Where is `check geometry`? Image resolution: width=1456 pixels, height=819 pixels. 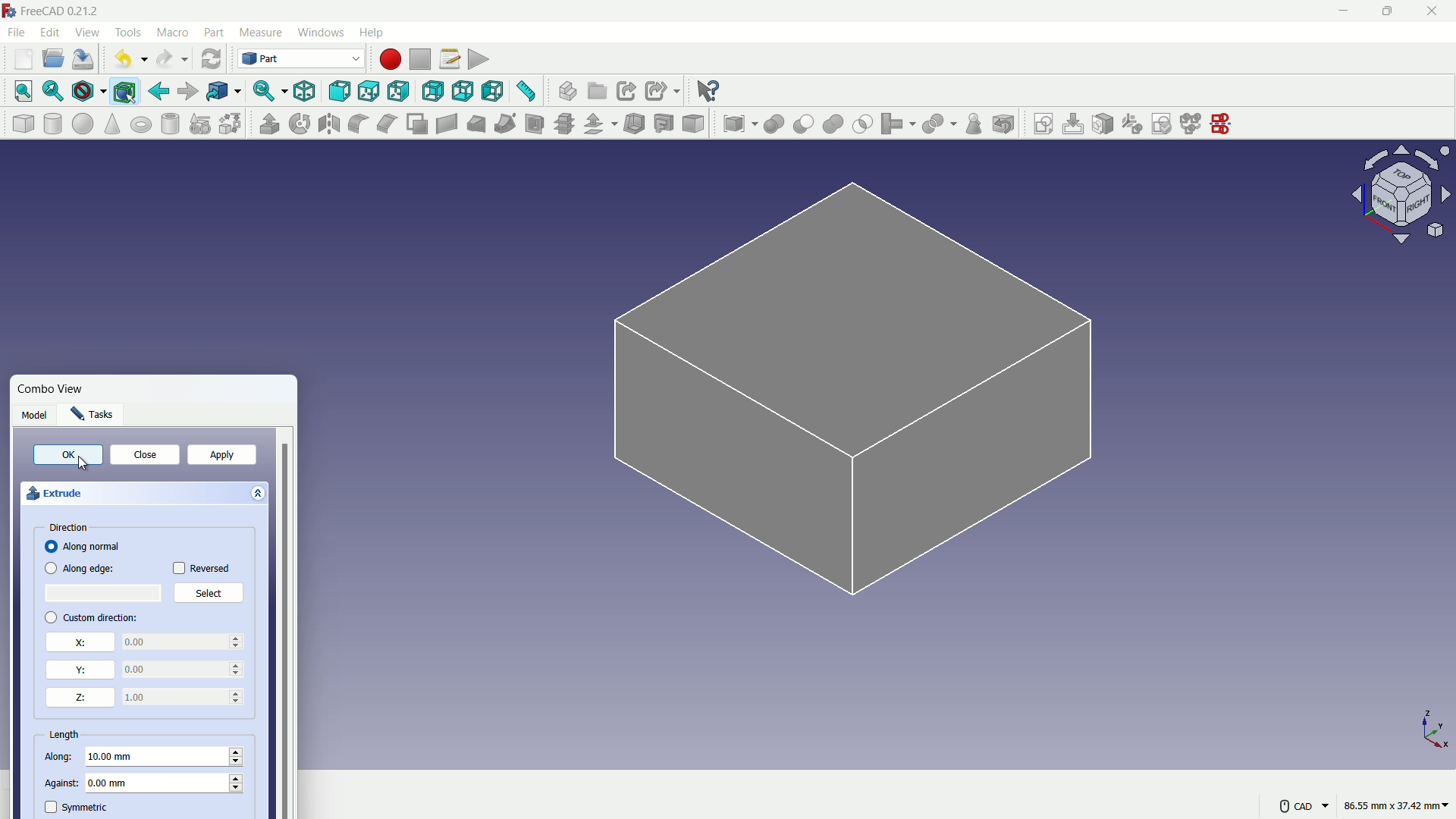
check geometry is located at coordinates (976, 124).